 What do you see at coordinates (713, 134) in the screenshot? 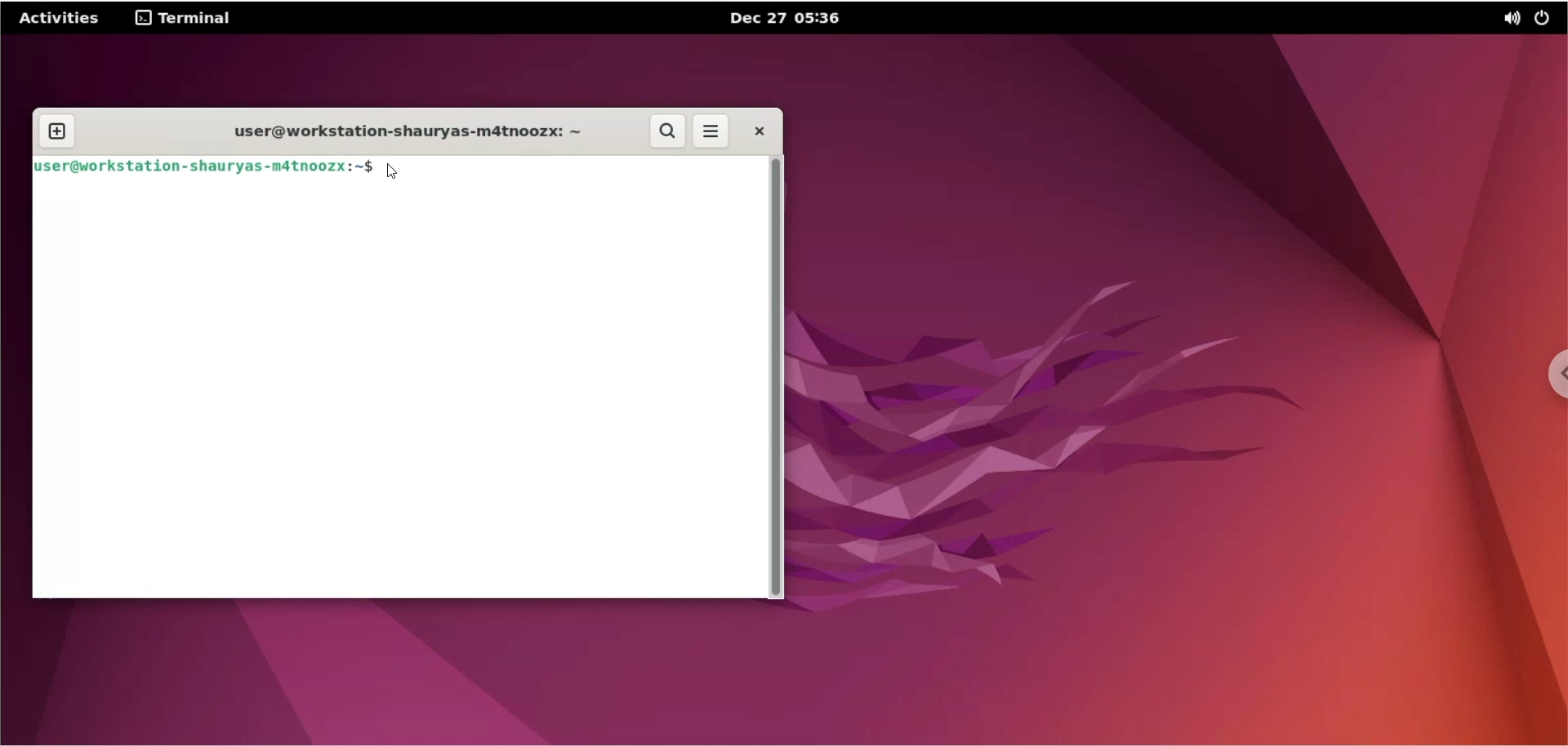
I see `more option` at bounding box center [713, 134].